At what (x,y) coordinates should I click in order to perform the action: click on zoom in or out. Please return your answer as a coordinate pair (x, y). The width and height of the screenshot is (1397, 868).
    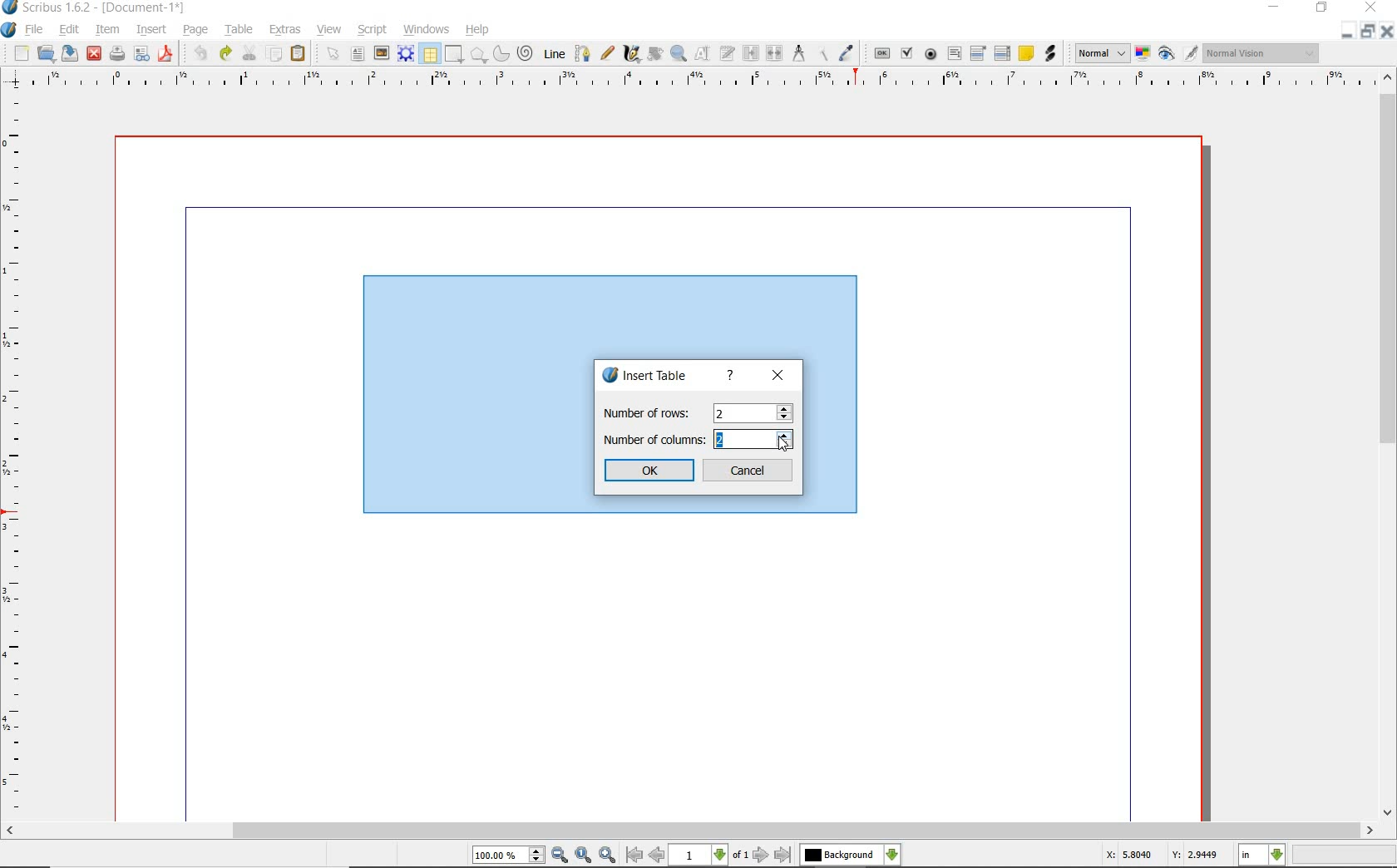
    Looking at the image, I should click on (678, 54).